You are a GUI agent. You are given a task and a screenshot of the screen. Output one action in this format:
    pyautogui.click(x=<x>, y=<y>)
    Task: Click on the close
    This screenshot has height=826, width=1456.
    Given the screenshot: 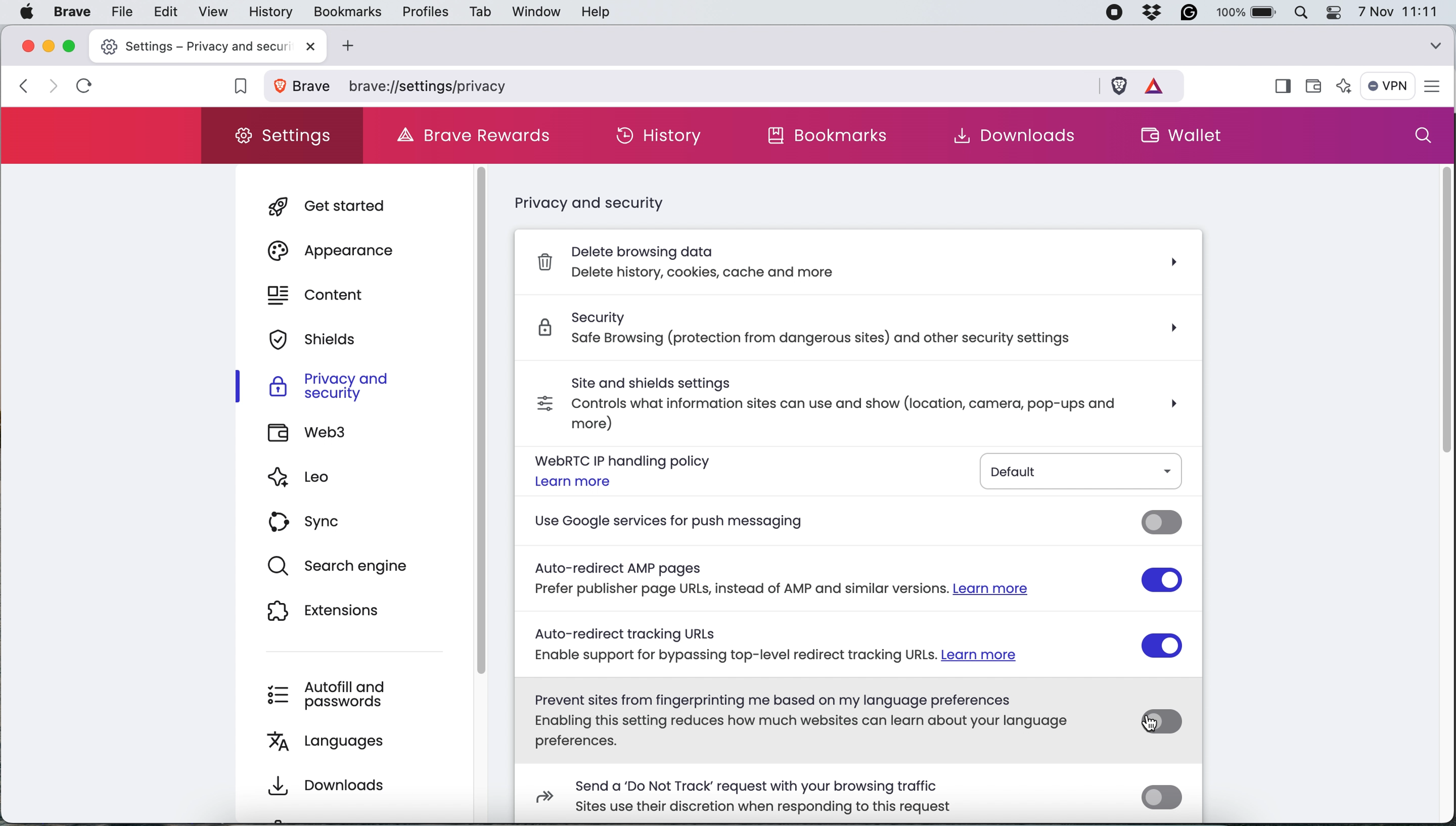 What is the action you would take?
    pyautogui.click(x=306, y=47)
    